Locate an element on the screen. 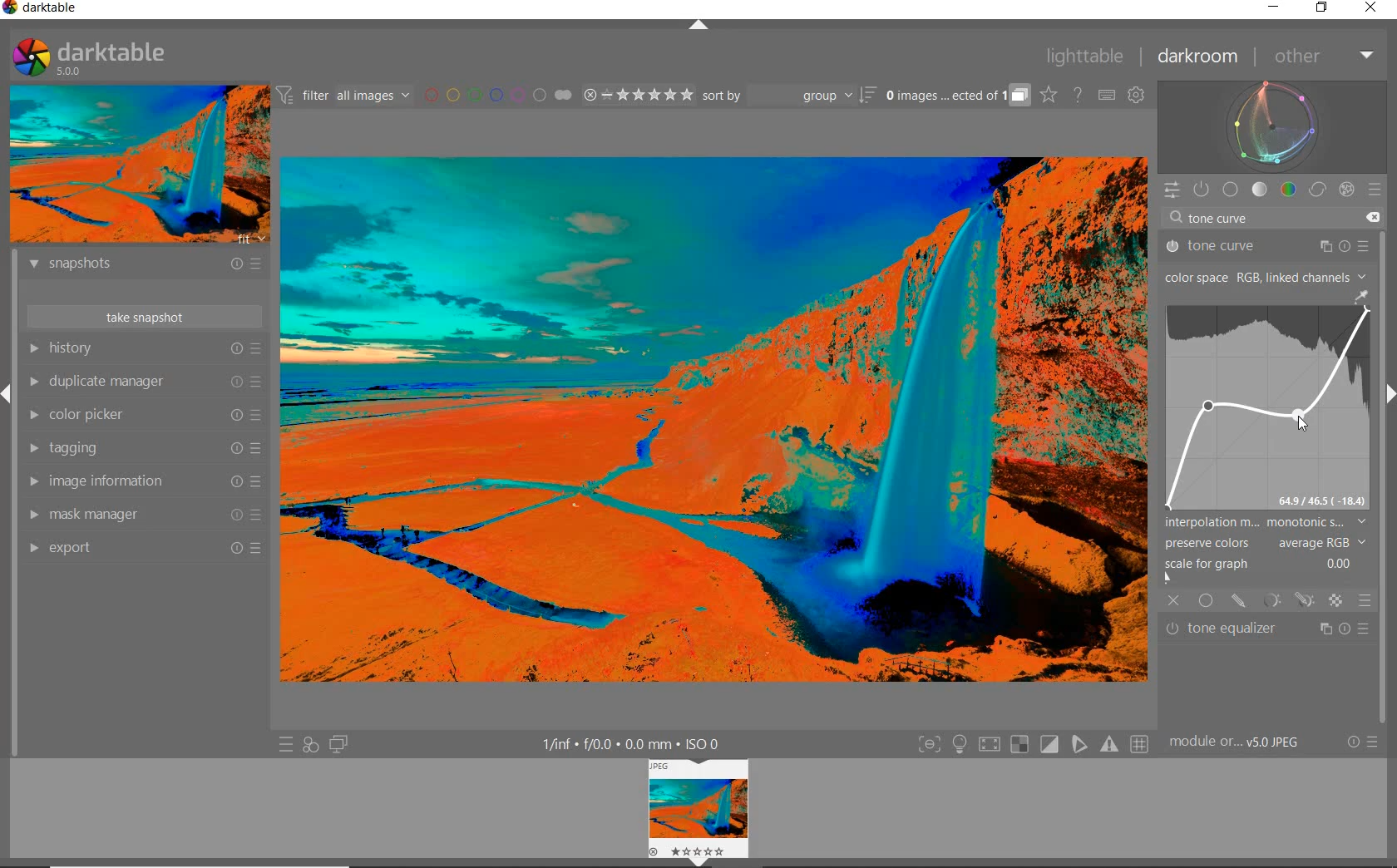 This screenshot has width=1397, height=868. other is located at coordinates (1320, 56).